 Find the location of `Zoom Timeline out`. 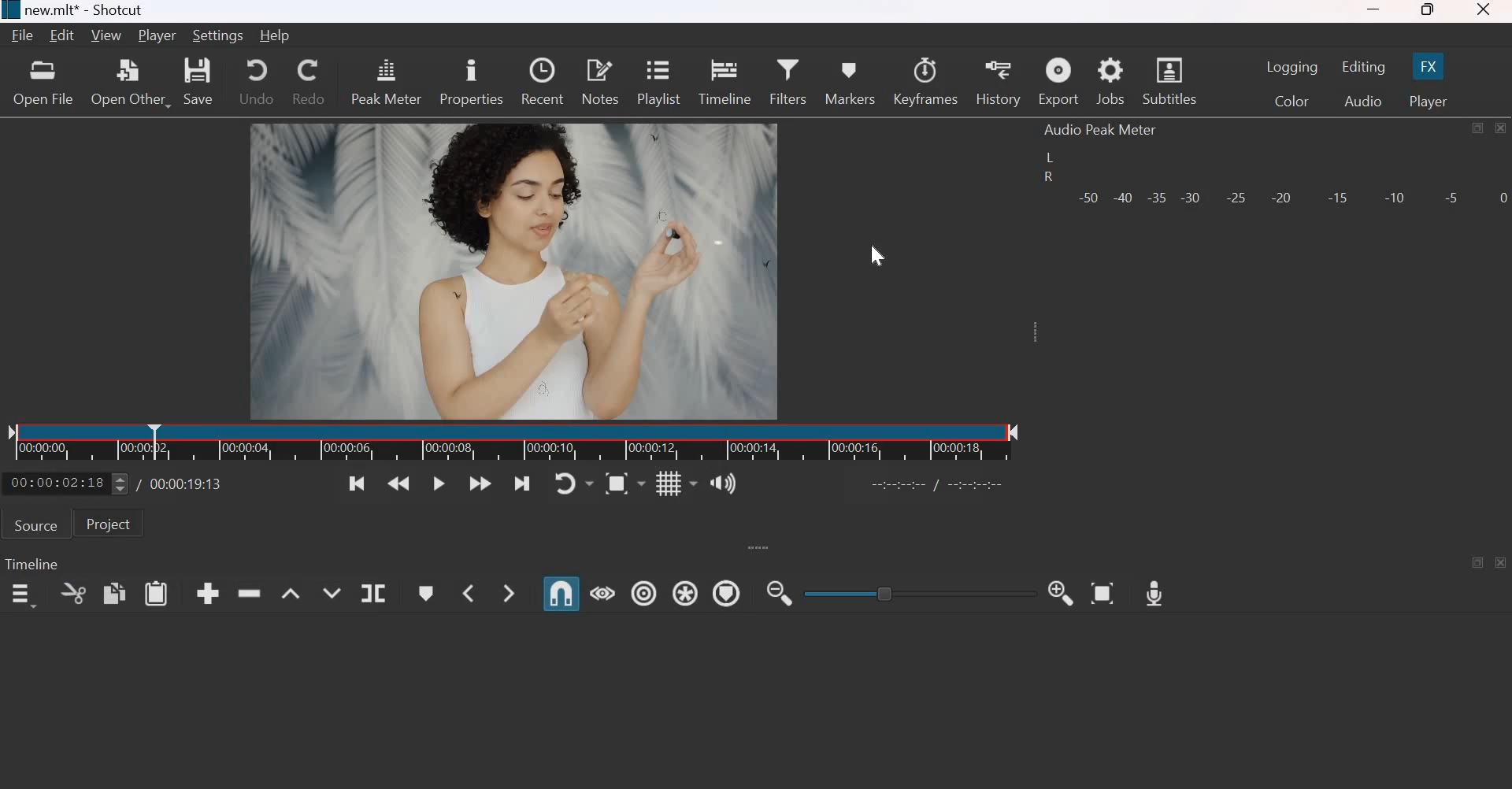

Zoom Timeline out is located at coordinates (781, 593).